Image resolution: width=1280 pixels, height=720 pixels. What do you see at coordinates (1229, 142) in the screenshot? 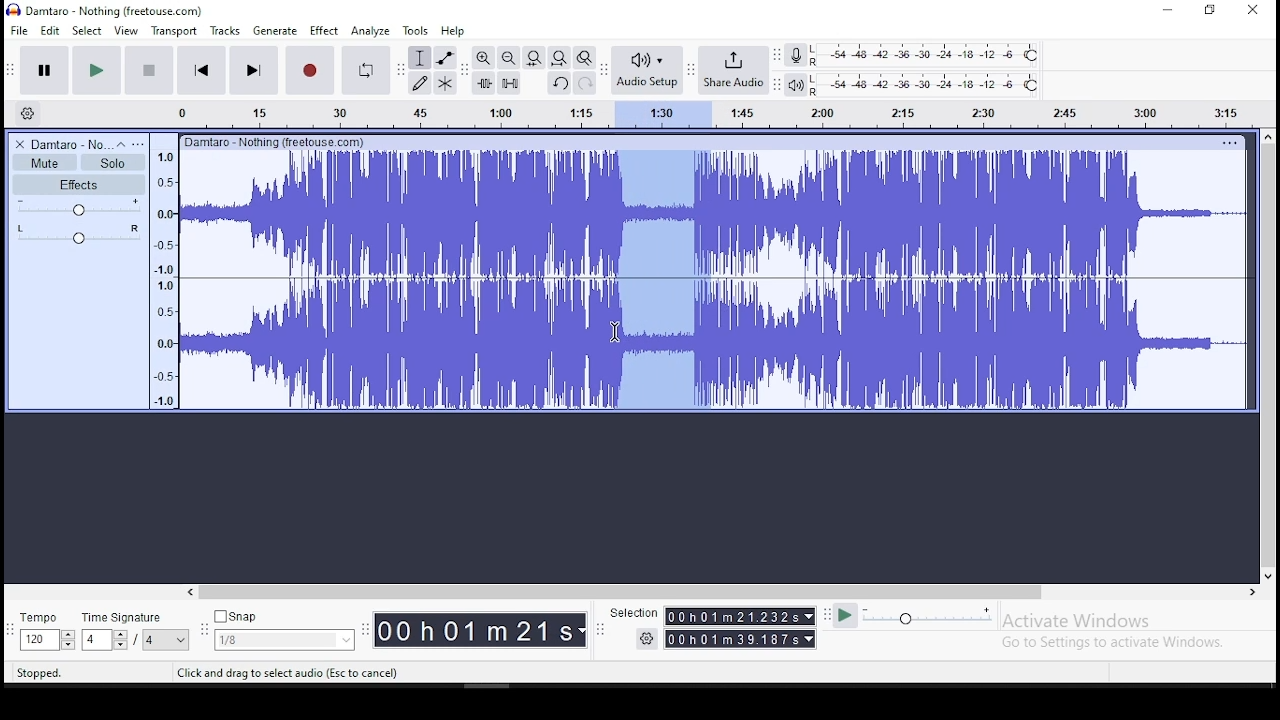
I see `` at bounding box center [1229, 142].